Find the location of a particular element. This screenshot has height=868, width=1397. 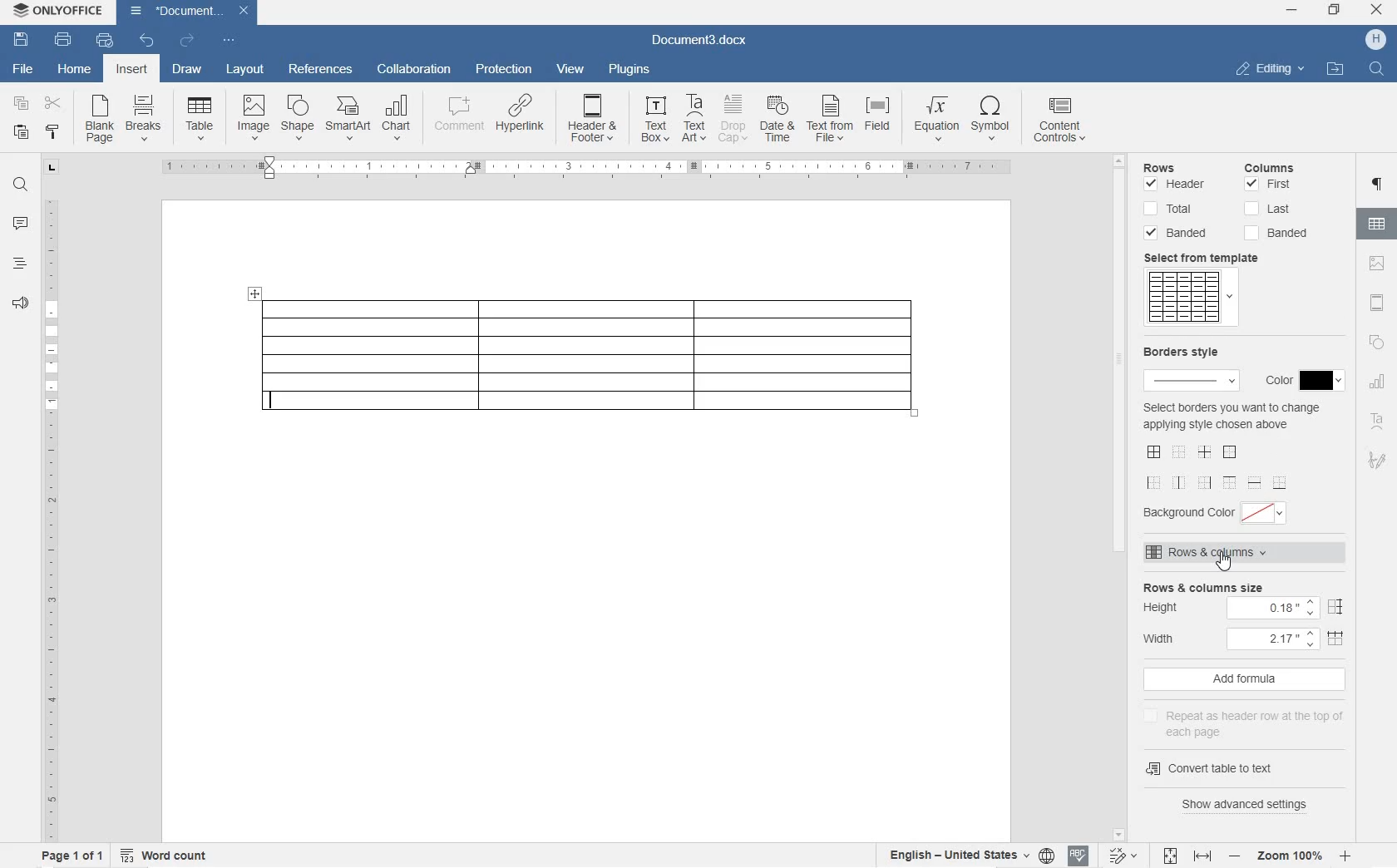

FEEDBACK & SUPPORT is located at coordinates (18, 303).